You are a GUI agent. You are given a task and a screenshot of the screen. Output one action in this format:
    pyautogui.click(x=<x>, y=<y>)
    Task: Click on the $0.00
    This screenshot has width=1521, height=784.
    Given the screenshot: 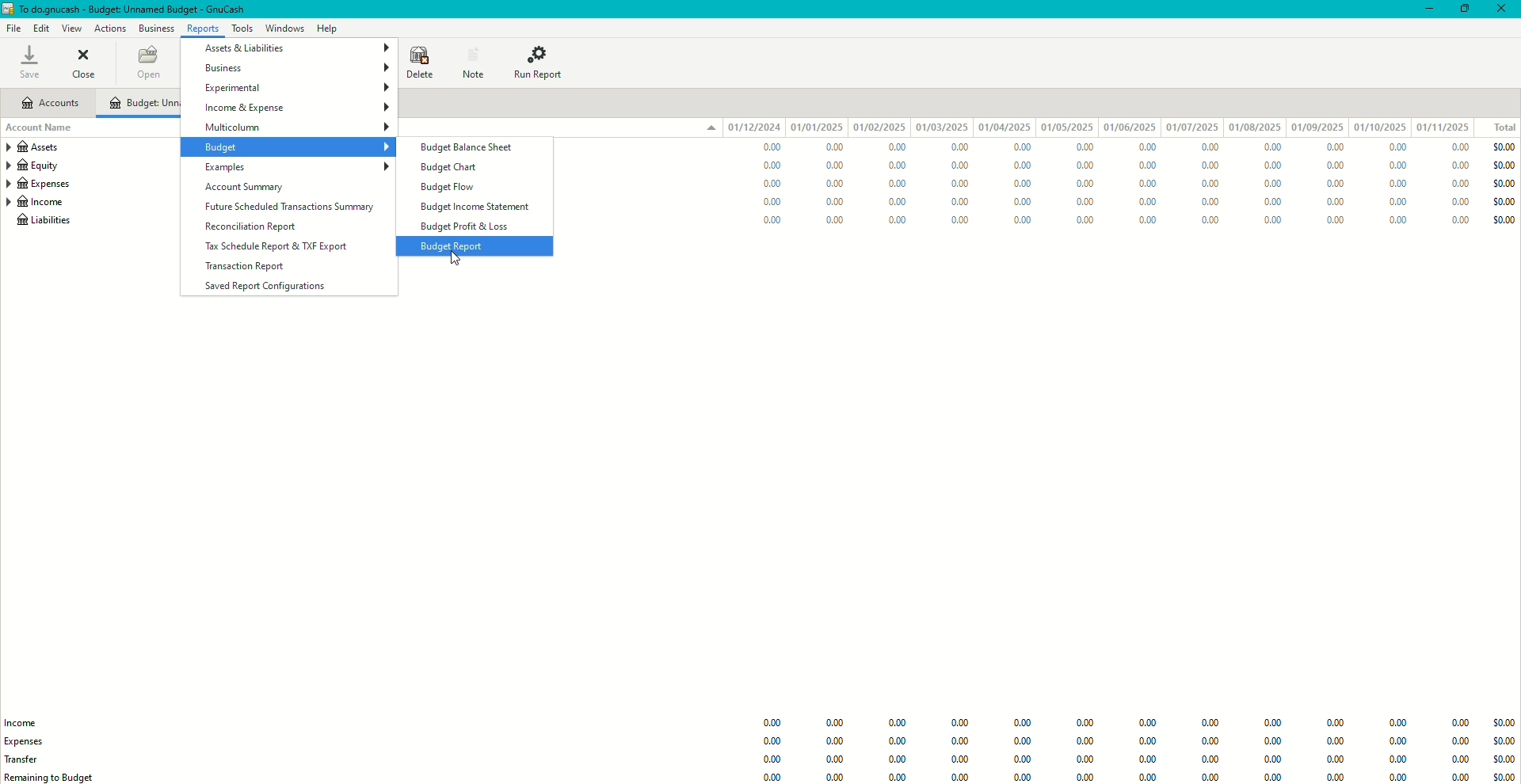 What is the action you would take?
    pyautogui.click(x=1502, y=743)
    